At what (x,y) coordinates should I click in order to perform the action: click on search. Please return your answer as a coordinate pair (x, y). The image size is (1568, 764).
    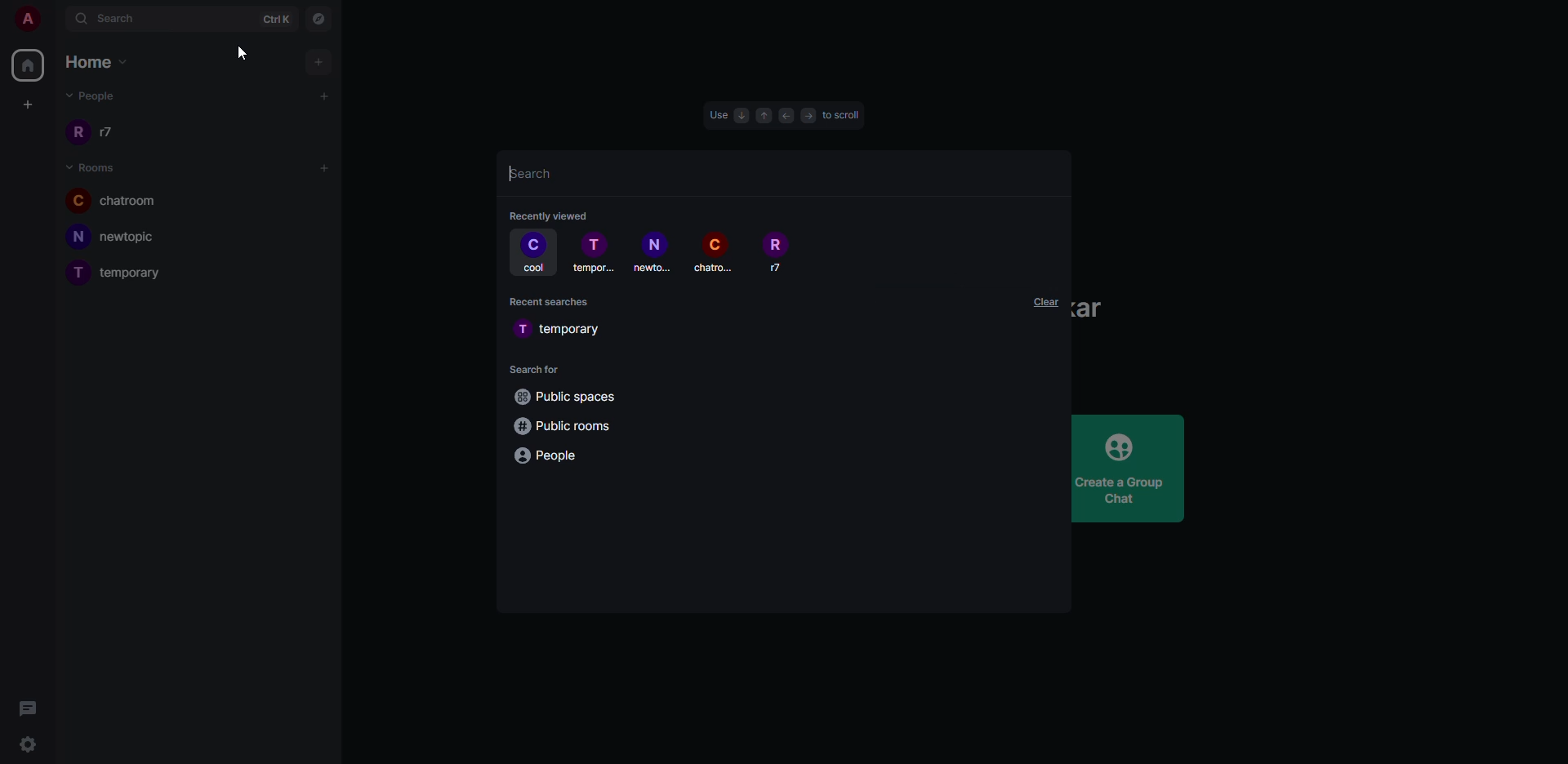
    Looking at the image, I should click on (537, 172).